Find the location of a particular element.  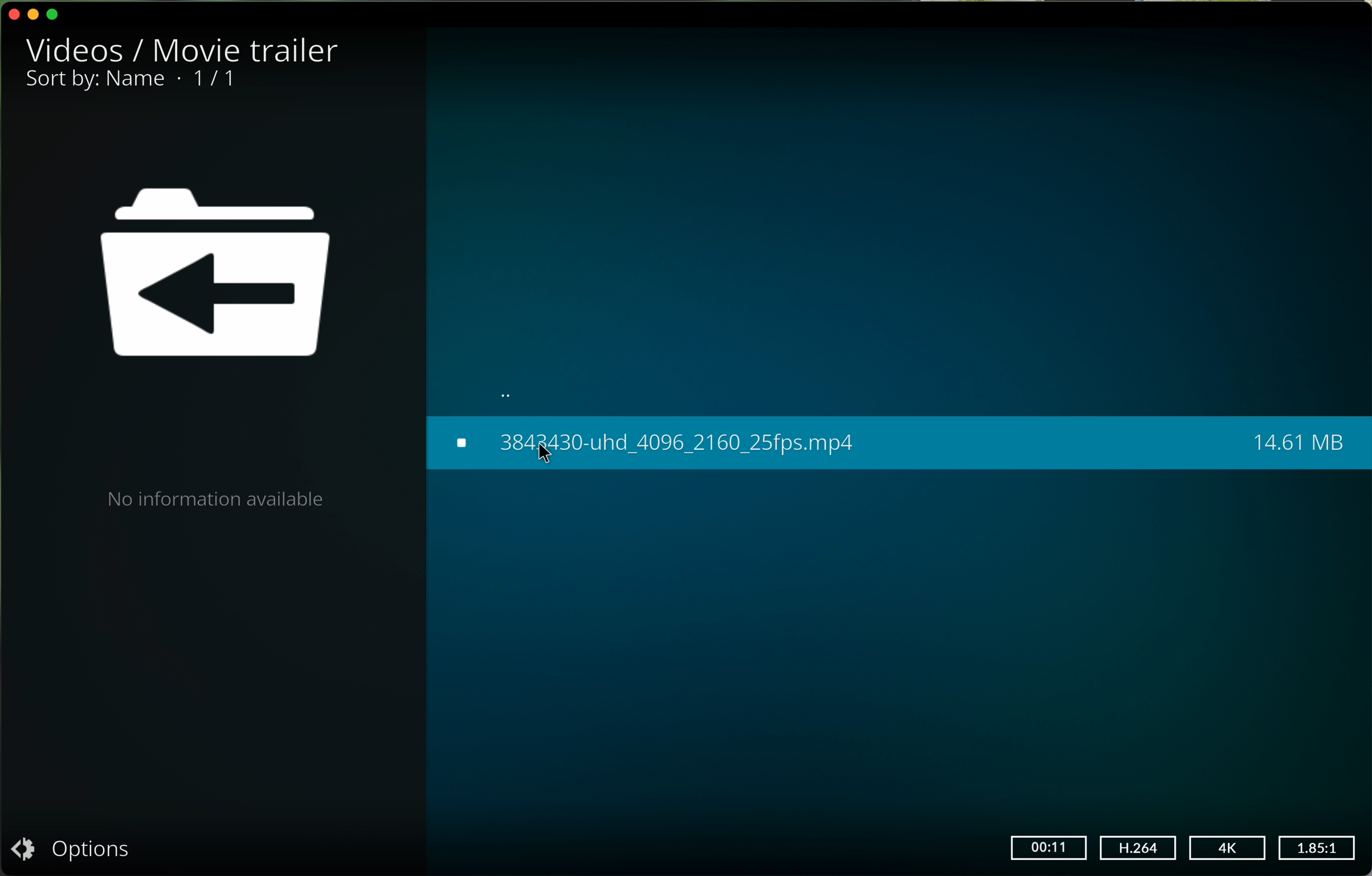

click on movie trailer is located at coordinates (899, 443).